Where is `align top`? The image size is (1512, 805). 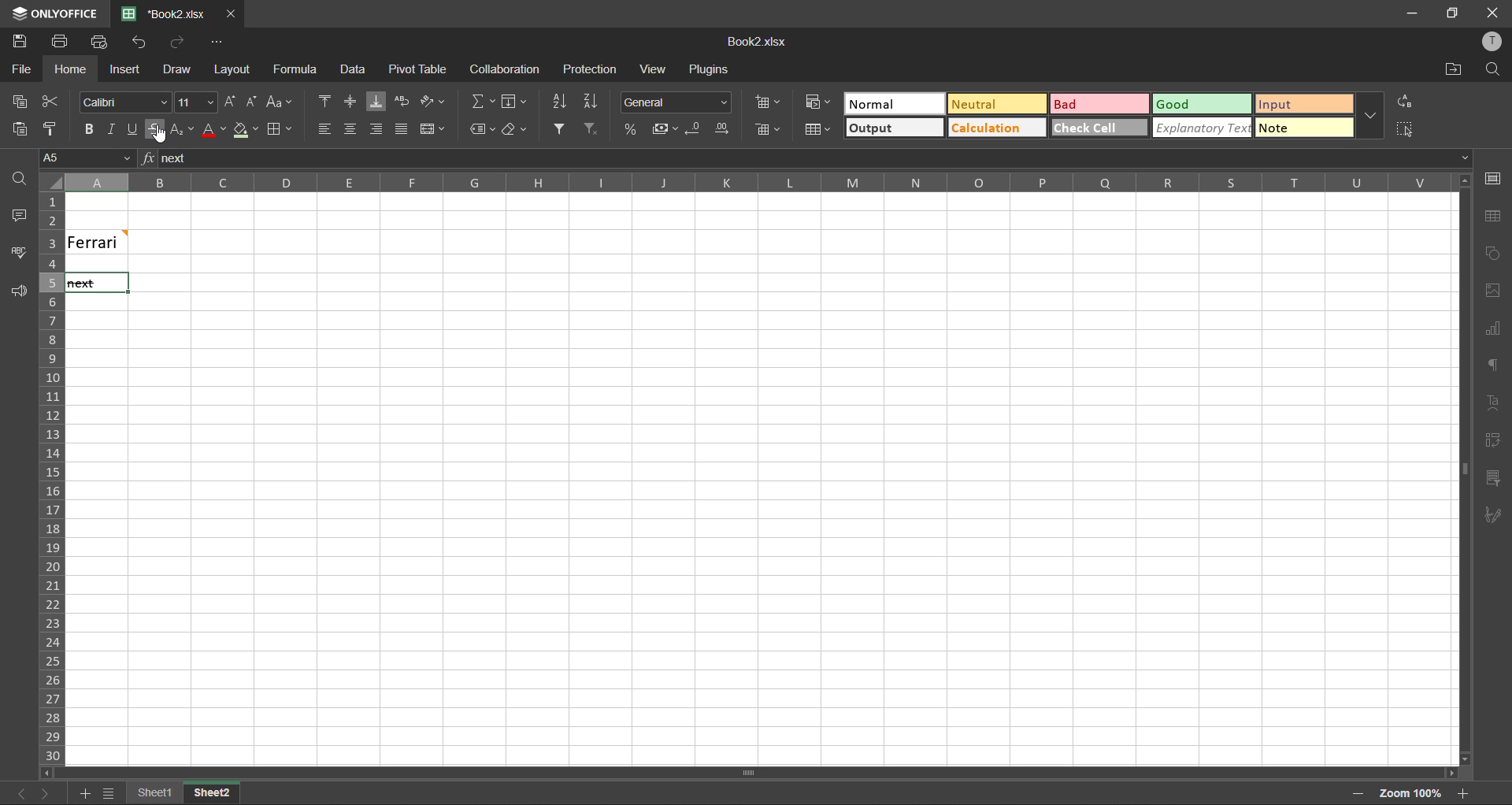
align top is located at coordinates (325, 100).